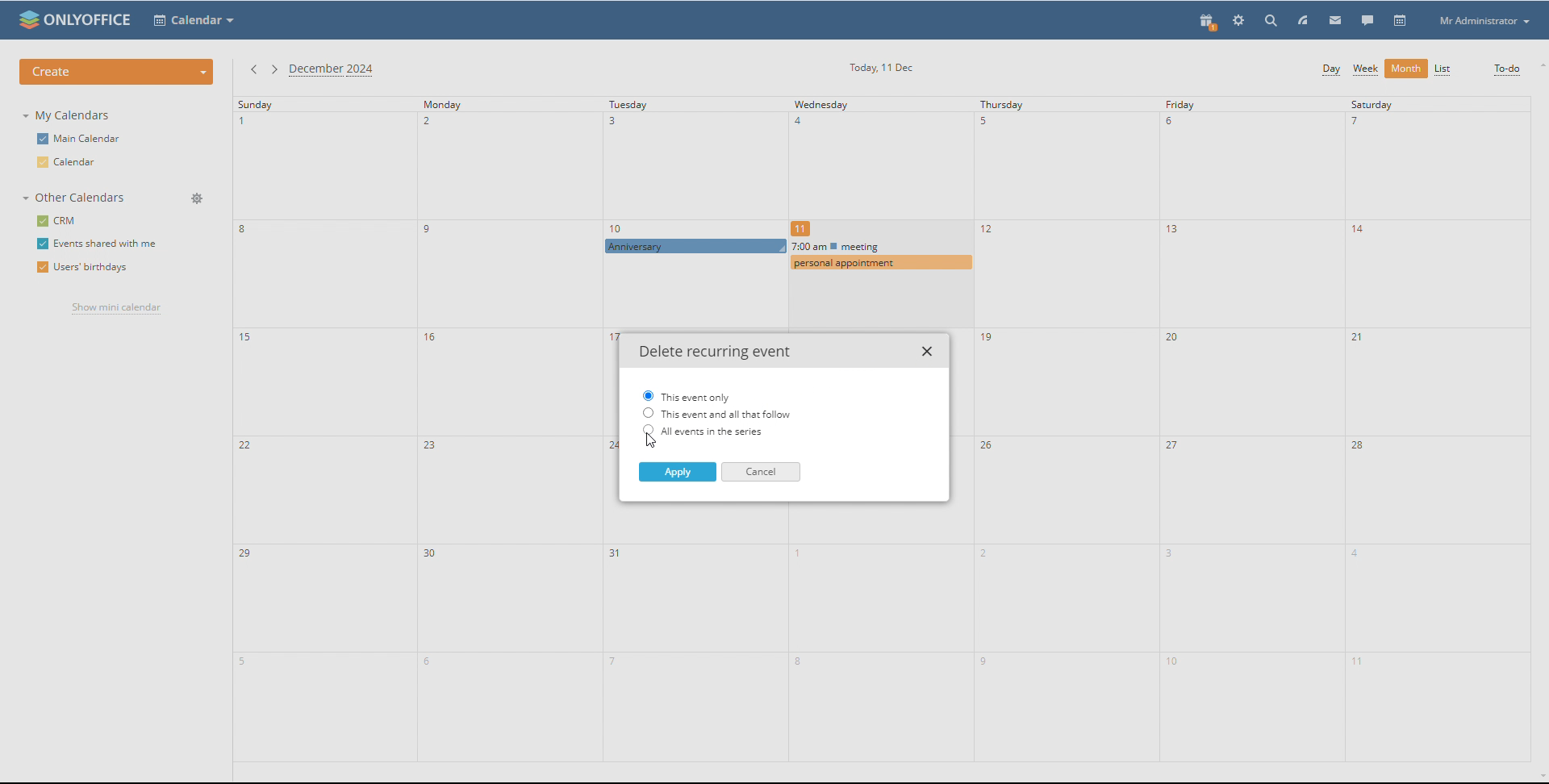 Image resolution: width=1549 pixels, height=784 pixels. I want to click on manage, so click(196, 198).